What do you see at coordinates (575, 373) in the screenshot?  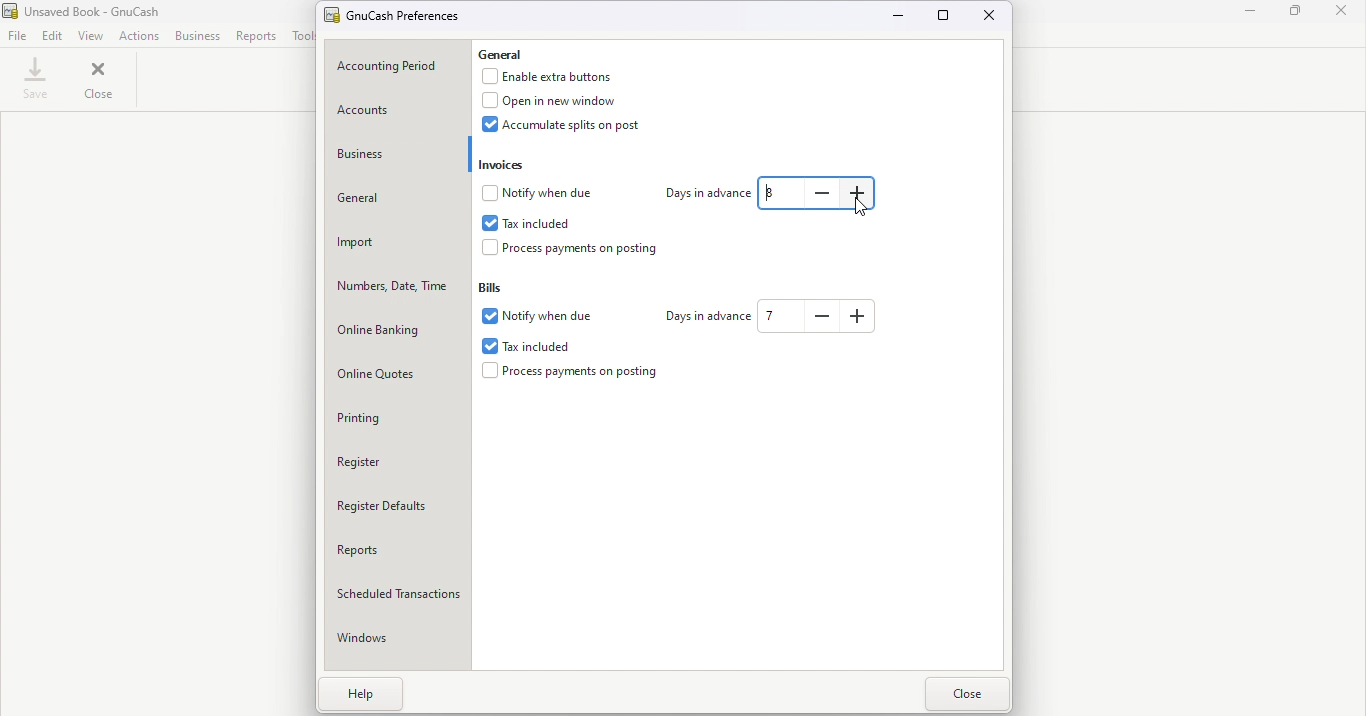 I see `Process payments on posting` at bounding box center [575, 373].